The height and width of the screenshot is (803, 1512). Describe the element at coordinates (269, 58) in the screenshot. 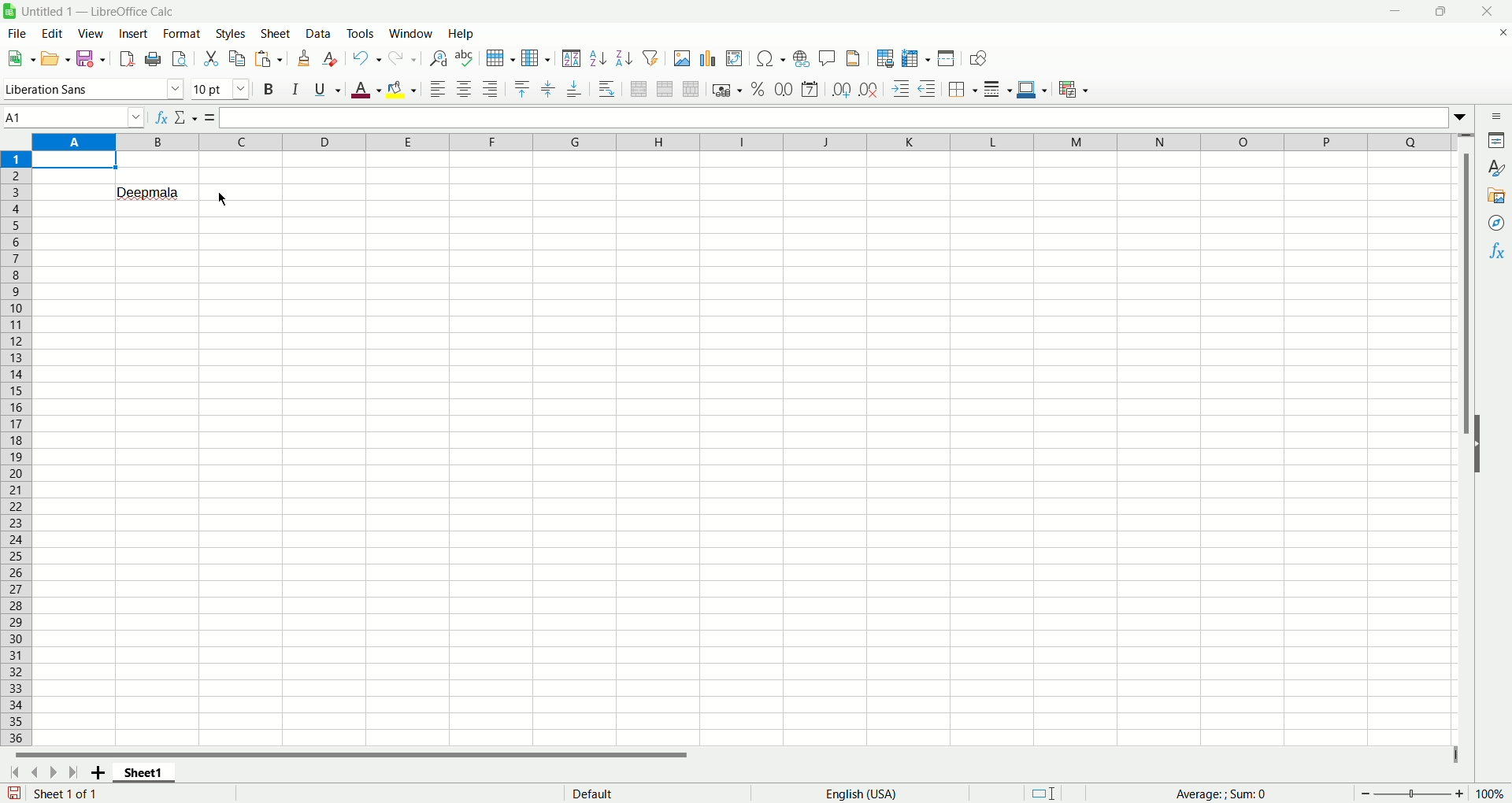

I see `Paste` at that location.